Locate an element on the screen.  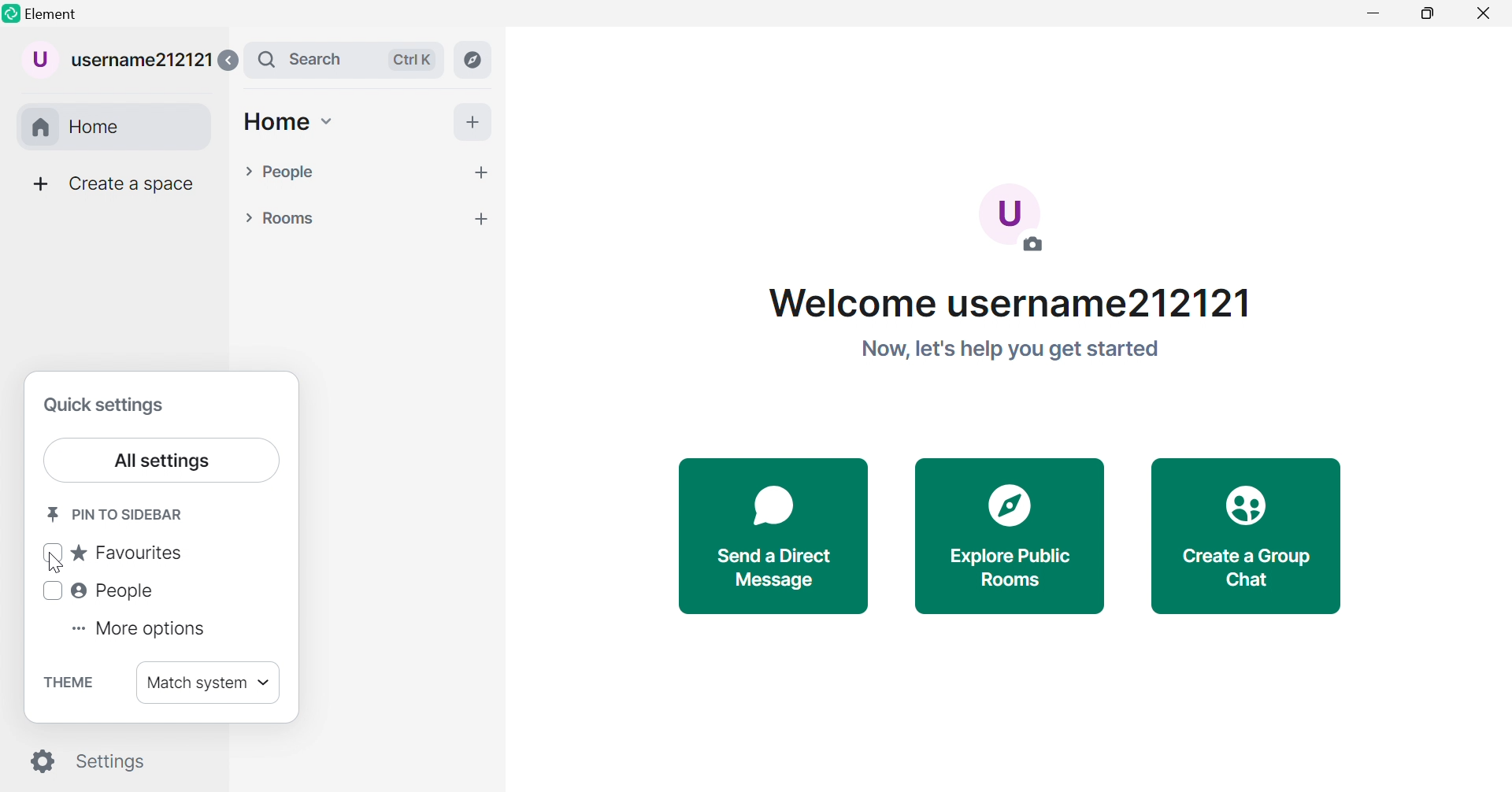
username212121 is located at coordinates (118, 61).